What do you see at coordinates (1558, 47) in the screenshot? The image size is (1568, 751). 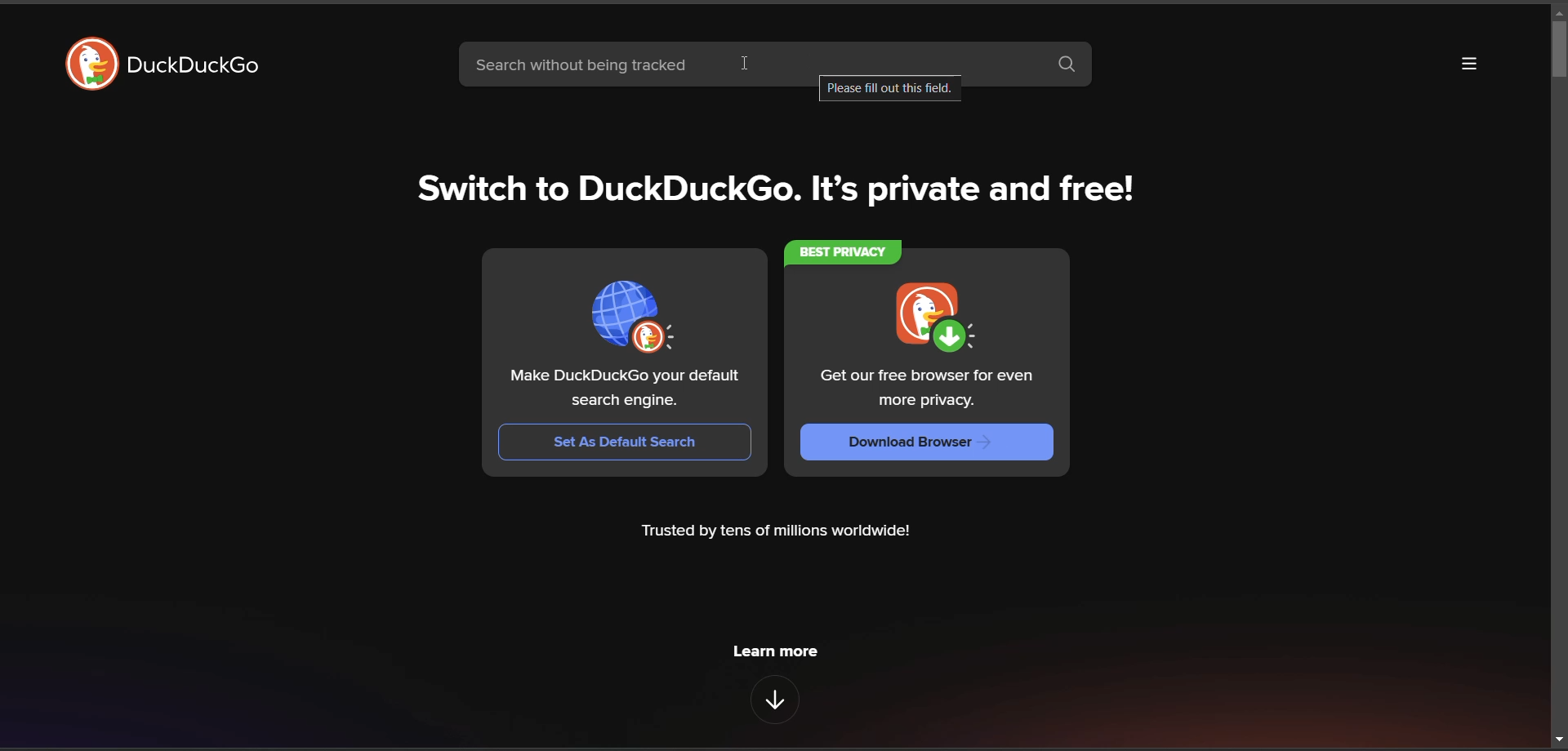 I see `vertical scroll bar` at bounding box center [1558, 47].